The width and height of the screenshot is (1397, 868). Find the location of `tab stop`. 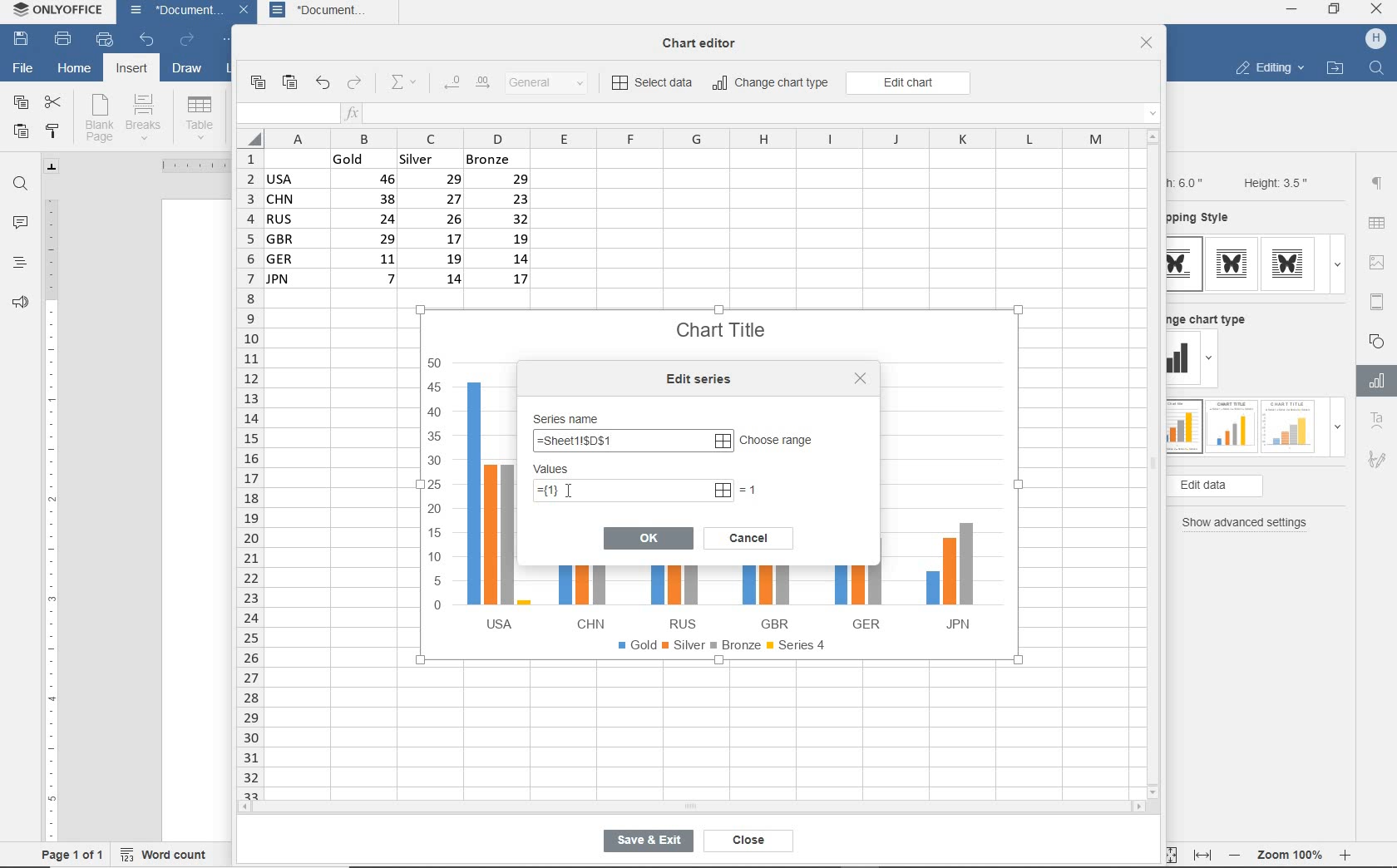

tab stop is located at coordinates (52, 166).